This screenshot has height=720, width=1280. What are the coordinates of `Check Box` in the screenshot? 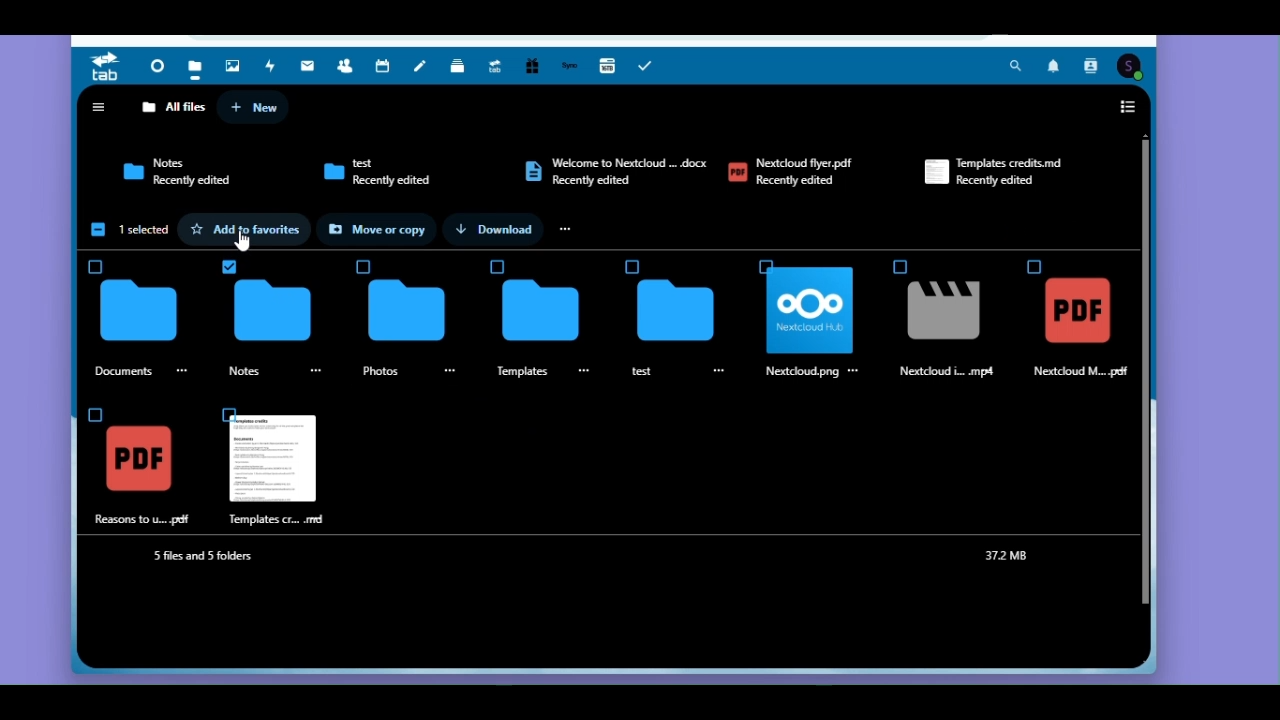 It's located at (363, 266).